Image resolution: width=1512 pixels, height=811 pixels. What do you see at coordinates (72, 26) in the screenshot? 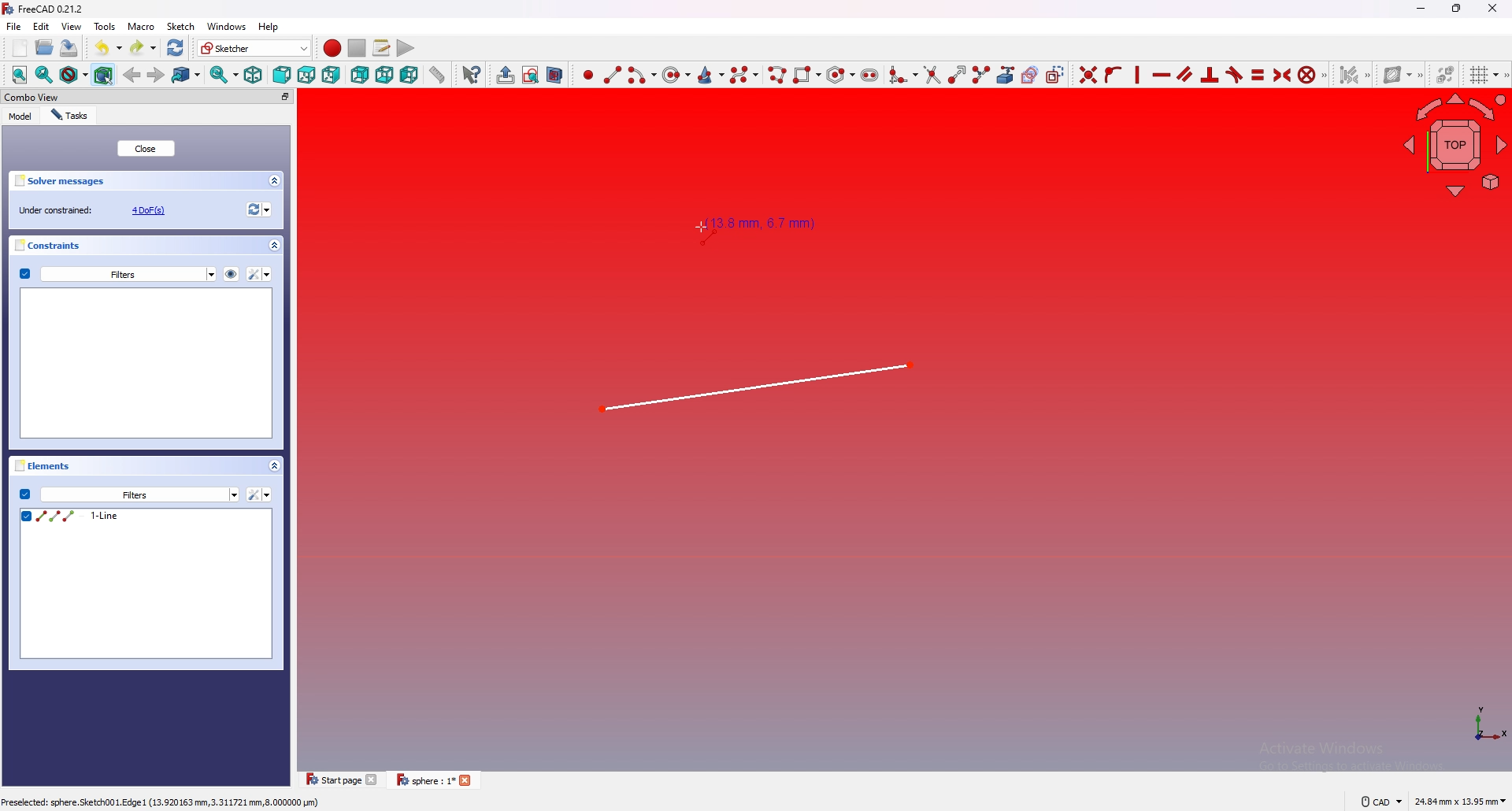
I see `View` at bounding box center [72, 26].